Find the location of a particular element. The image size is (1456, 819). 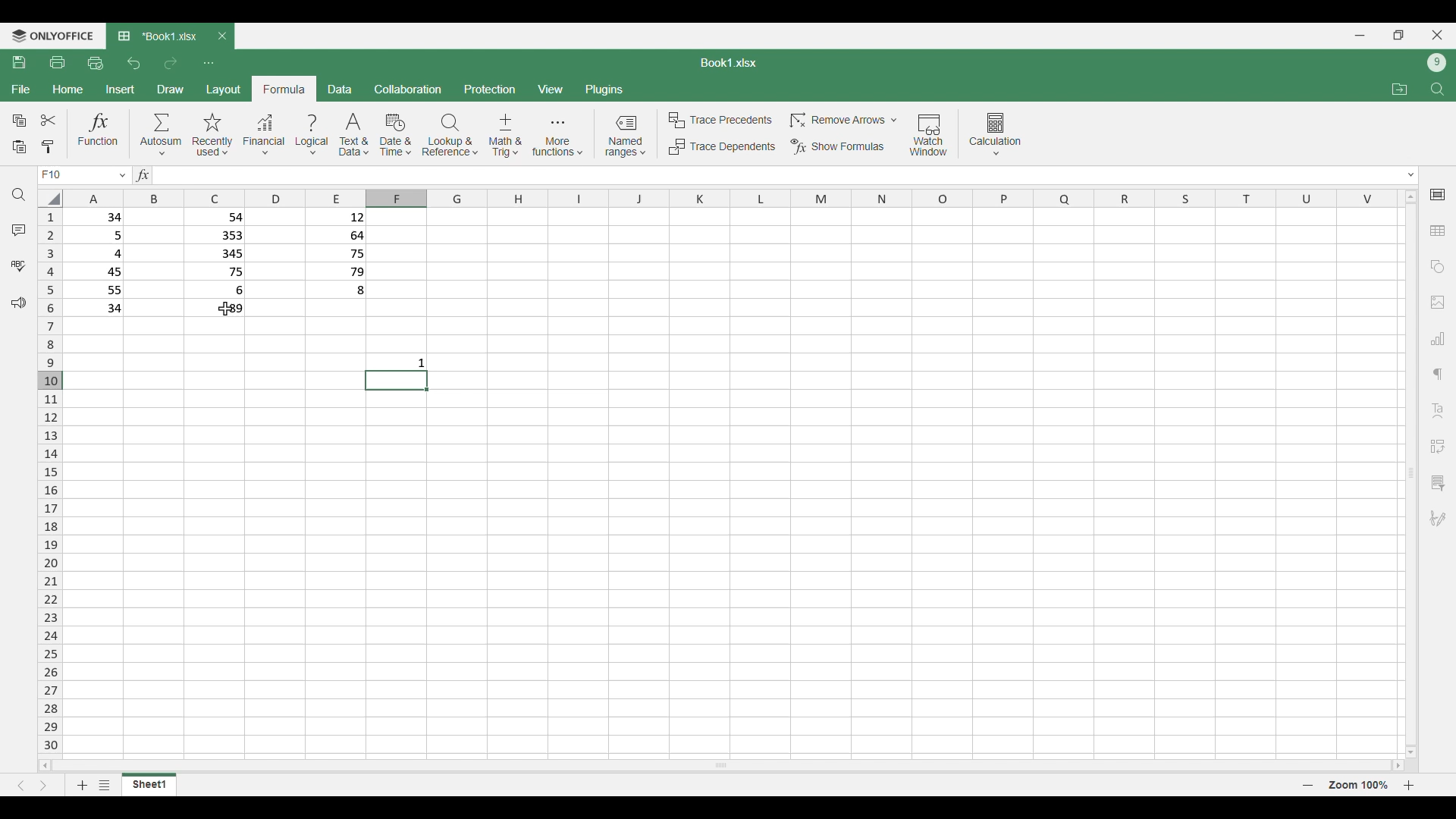

Choose cell name is located at coordinates (82, 175).